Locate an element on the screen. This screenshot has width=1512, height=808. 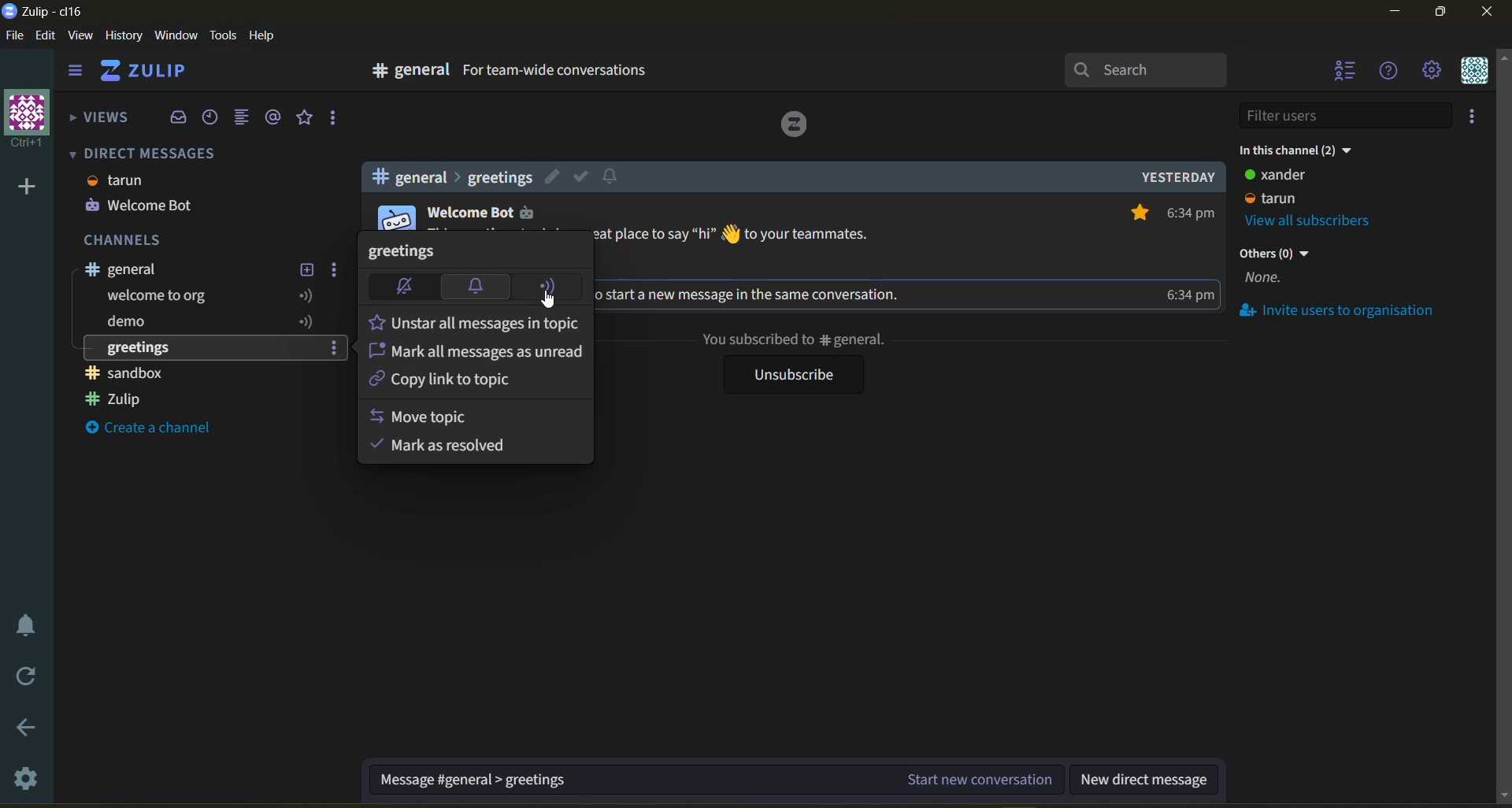
mark messages as unread is located at coordinates (473, 351).